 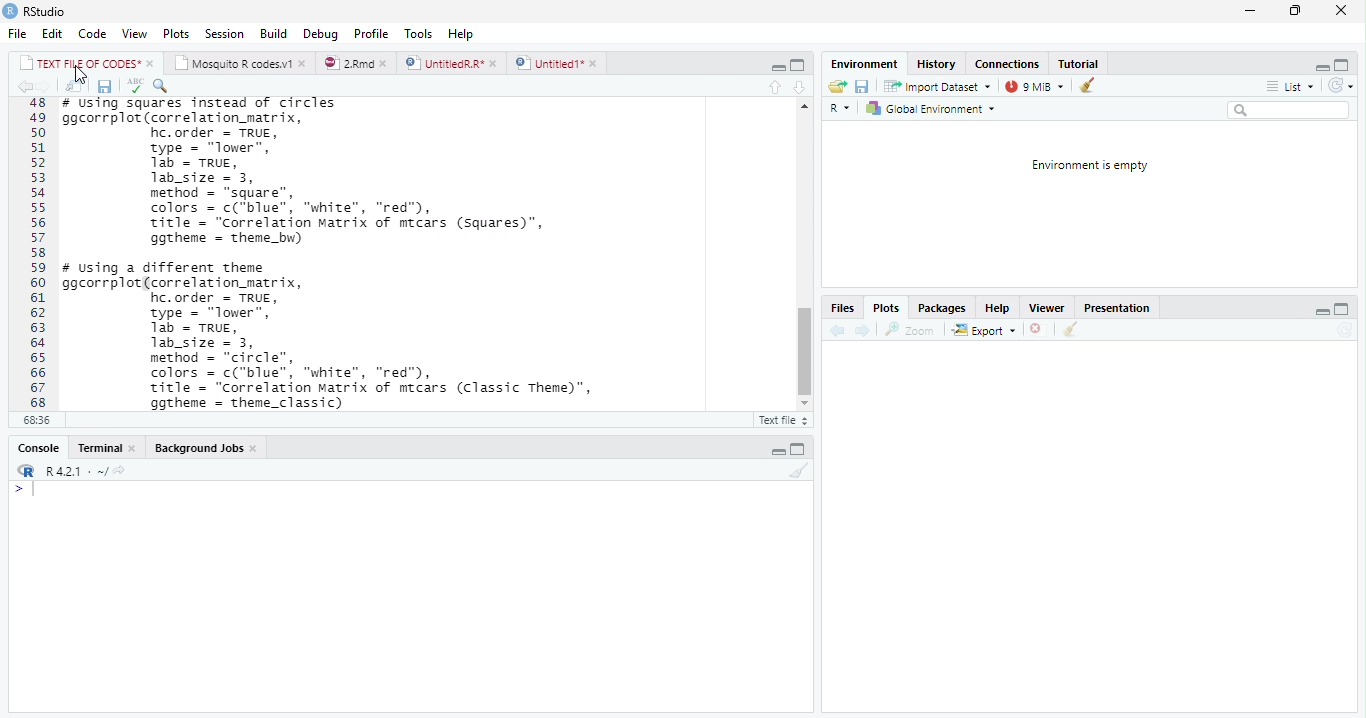 What do you see at coordinates (1295, 13) in the screenshot?
I see `maximize` at bounding box center [1295, 13].